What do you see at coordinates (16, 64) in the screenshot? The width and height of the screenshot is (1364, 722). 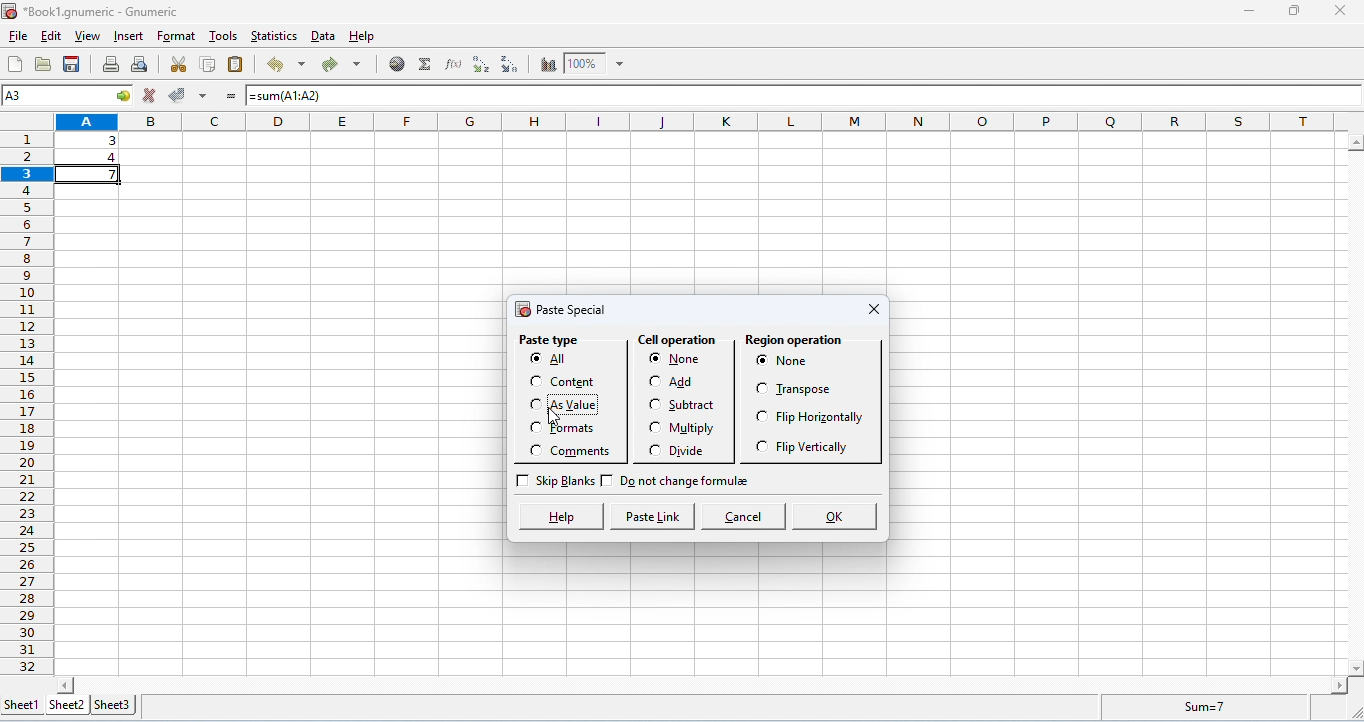 I see `new` at bounding box center [16, 64].